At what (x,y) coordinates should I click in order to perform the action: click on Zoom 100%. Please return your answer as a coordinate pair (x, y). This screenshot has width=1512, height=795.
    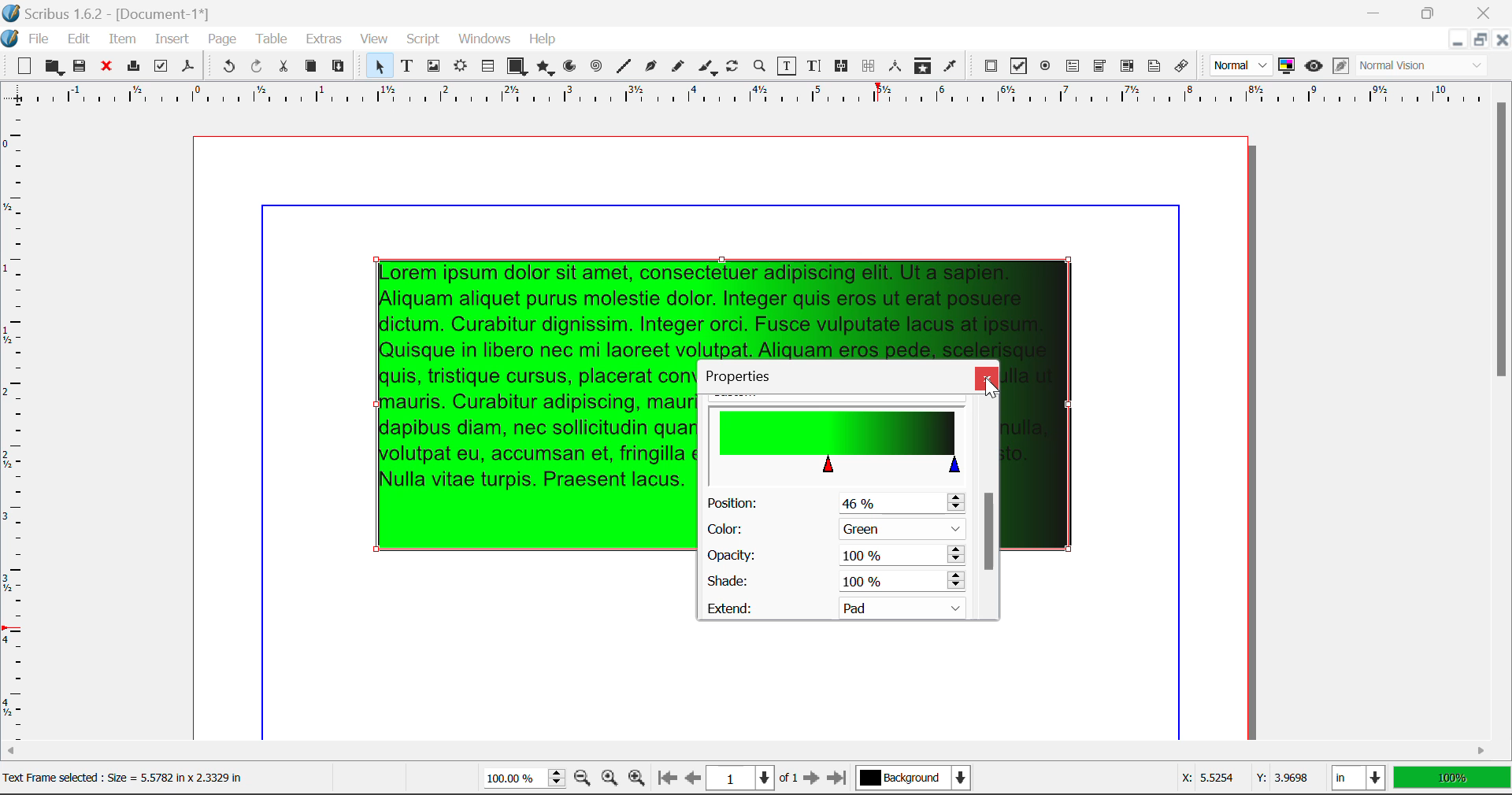
    Looking at the image, I should click on (524, 780).